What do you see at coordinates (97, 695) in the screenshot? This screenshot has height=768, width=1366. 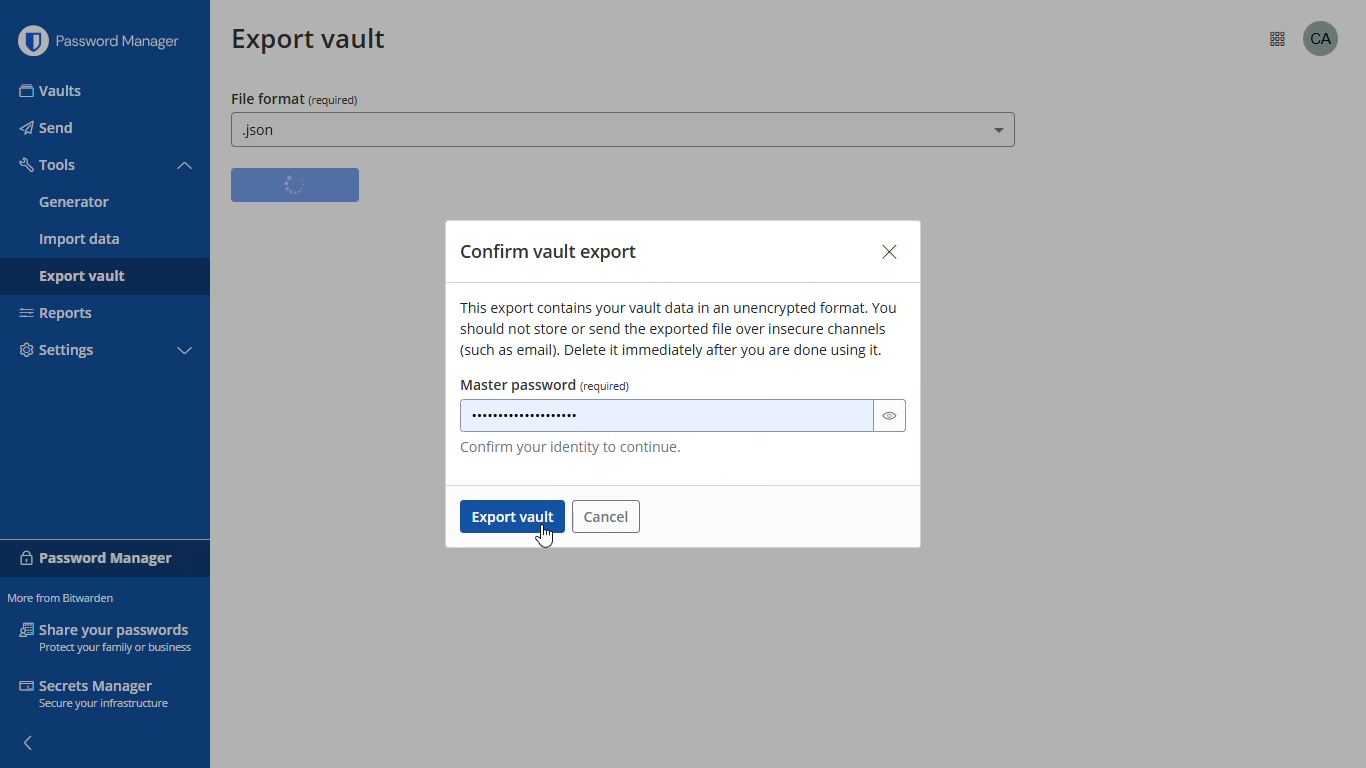 I see `secrets manager` at bounding box center [97, 695].